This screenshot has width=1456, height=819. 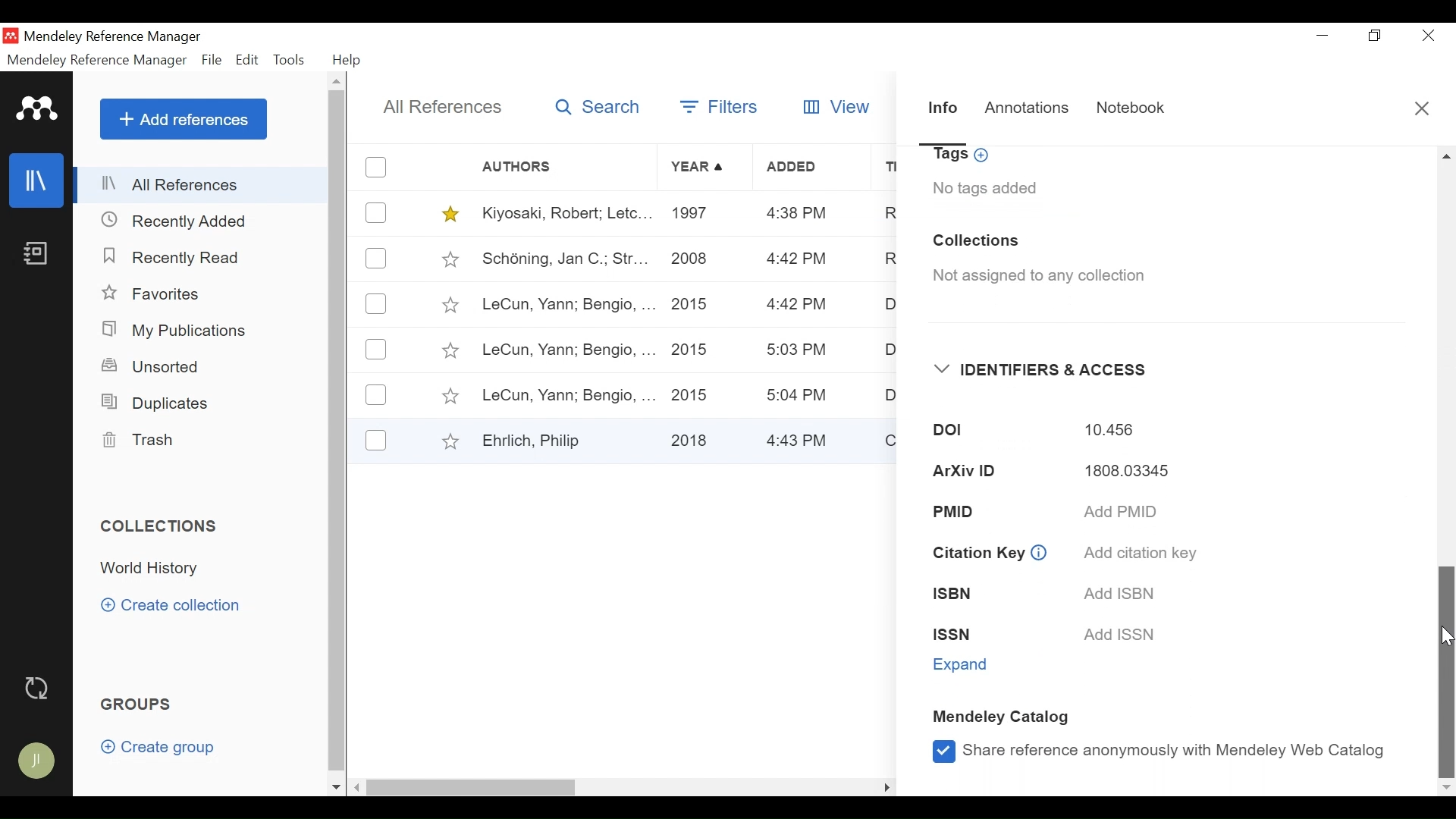 I want to click on Help, so click(x=347, y=60).